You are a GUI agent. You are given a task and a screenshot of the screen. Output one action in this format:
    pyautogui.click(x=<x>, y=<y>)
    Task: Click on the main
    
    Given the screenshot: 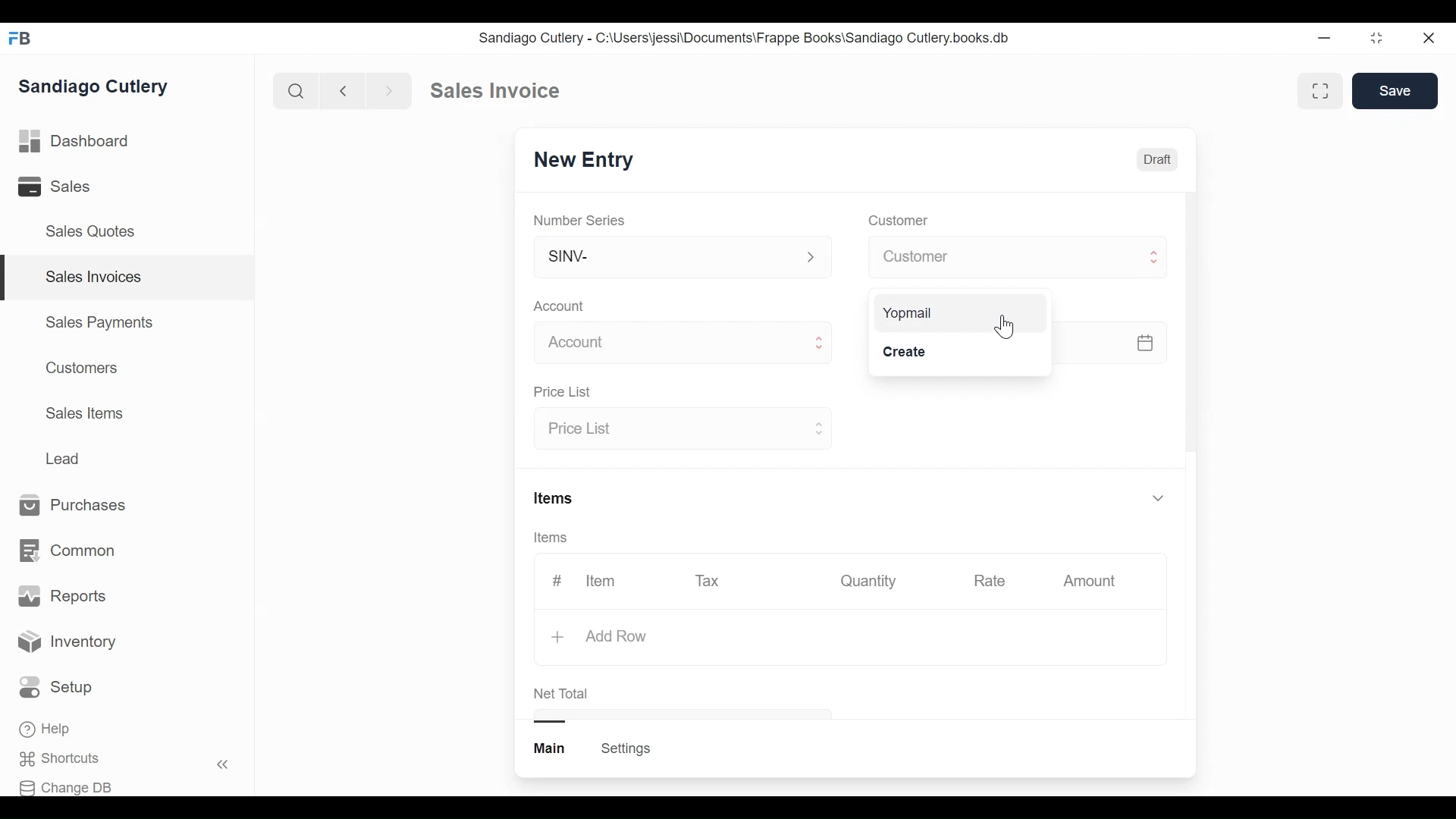 What is the action you would take?
    pyautogui.click(x=551, y=748)
    